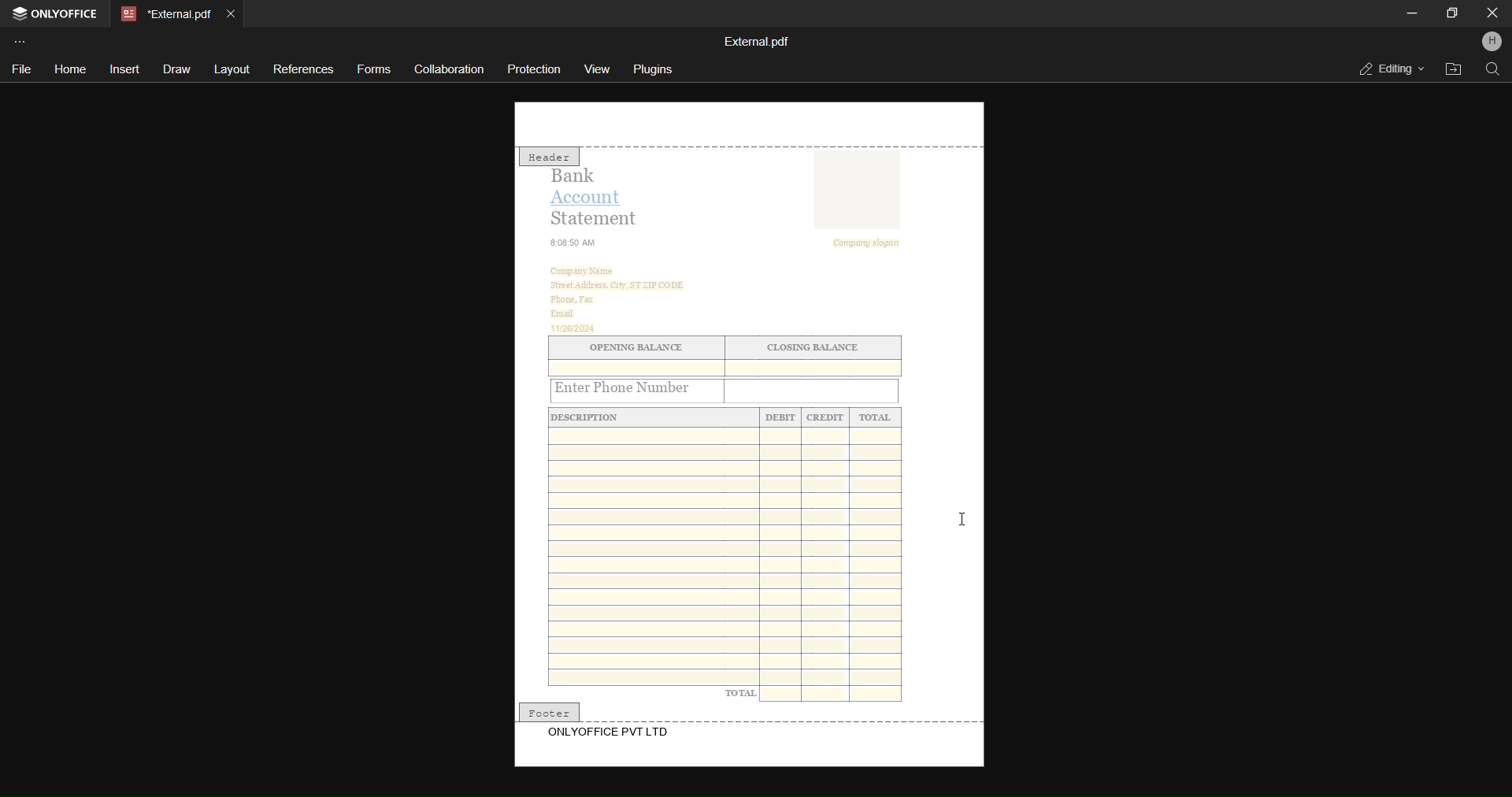 The image size is (1512, 797). What do you see at coordinates (724, 555) in the screenshot?
I see `Fields` at bounding box center [724, 555].